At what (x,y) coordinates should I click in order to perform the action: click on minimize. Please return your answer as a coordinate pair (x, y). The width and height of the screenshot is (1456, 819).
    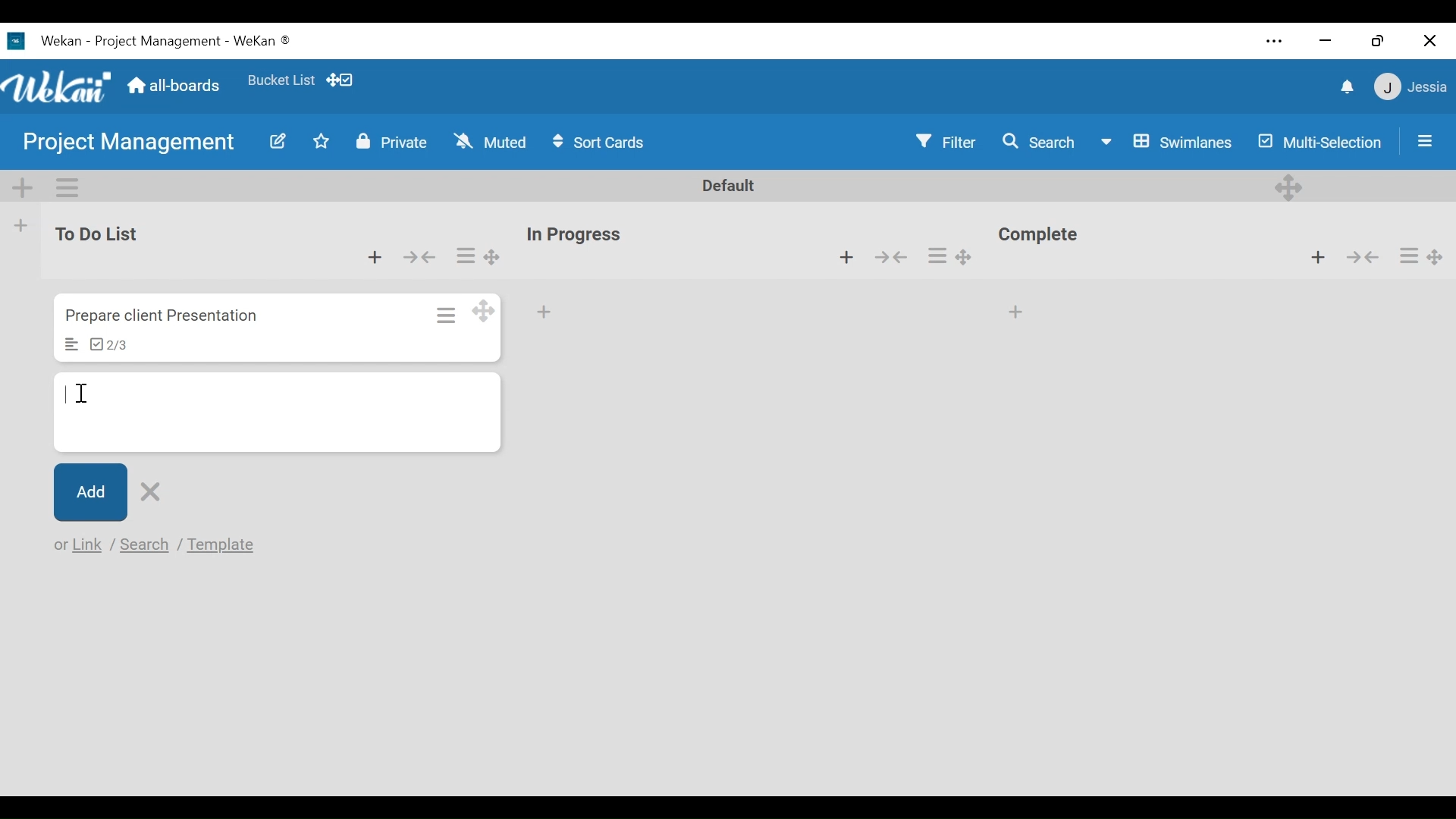
    Looking at the image, I should click on (1326, 39).